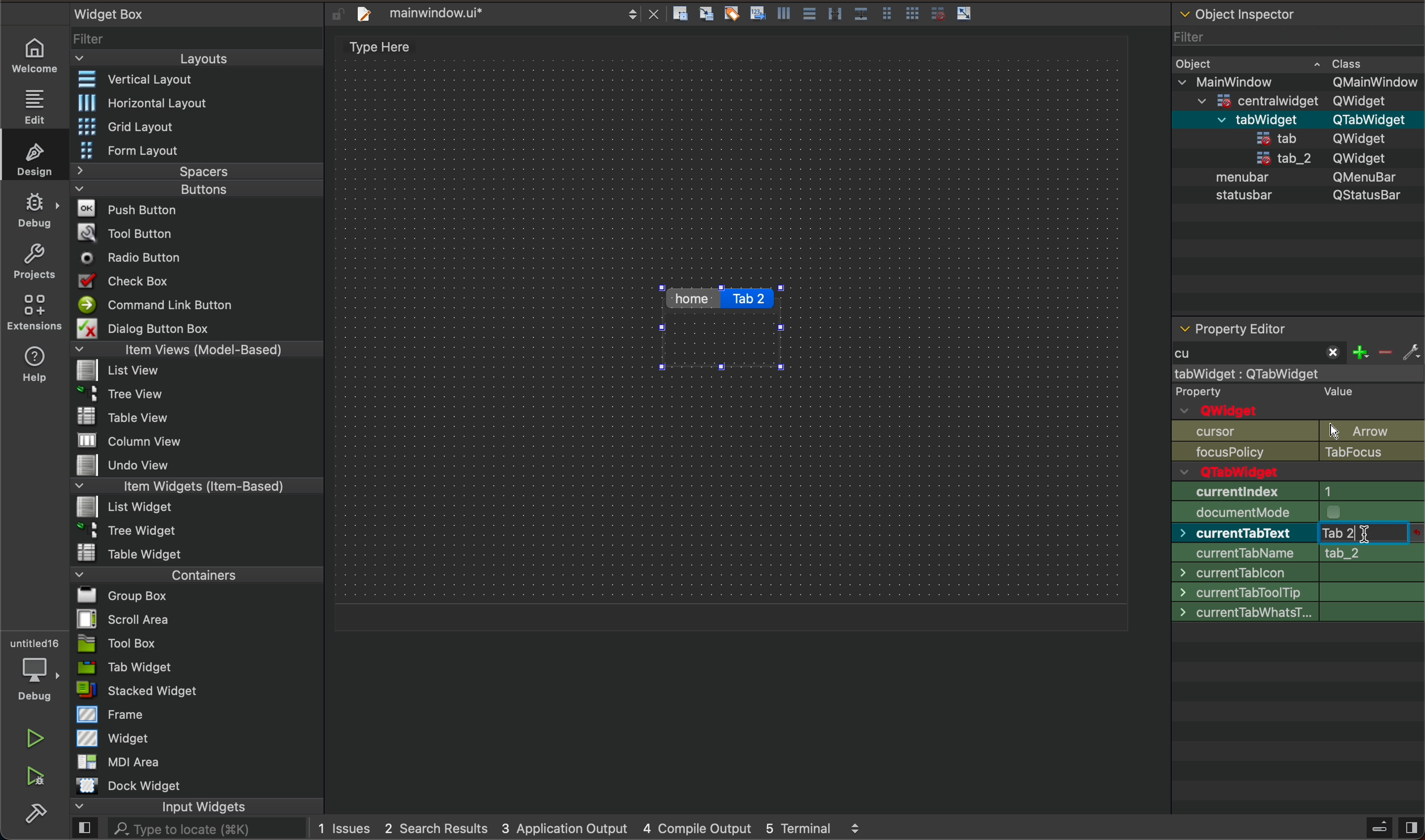  I want to click on ~ Class, so click(1342, 60).